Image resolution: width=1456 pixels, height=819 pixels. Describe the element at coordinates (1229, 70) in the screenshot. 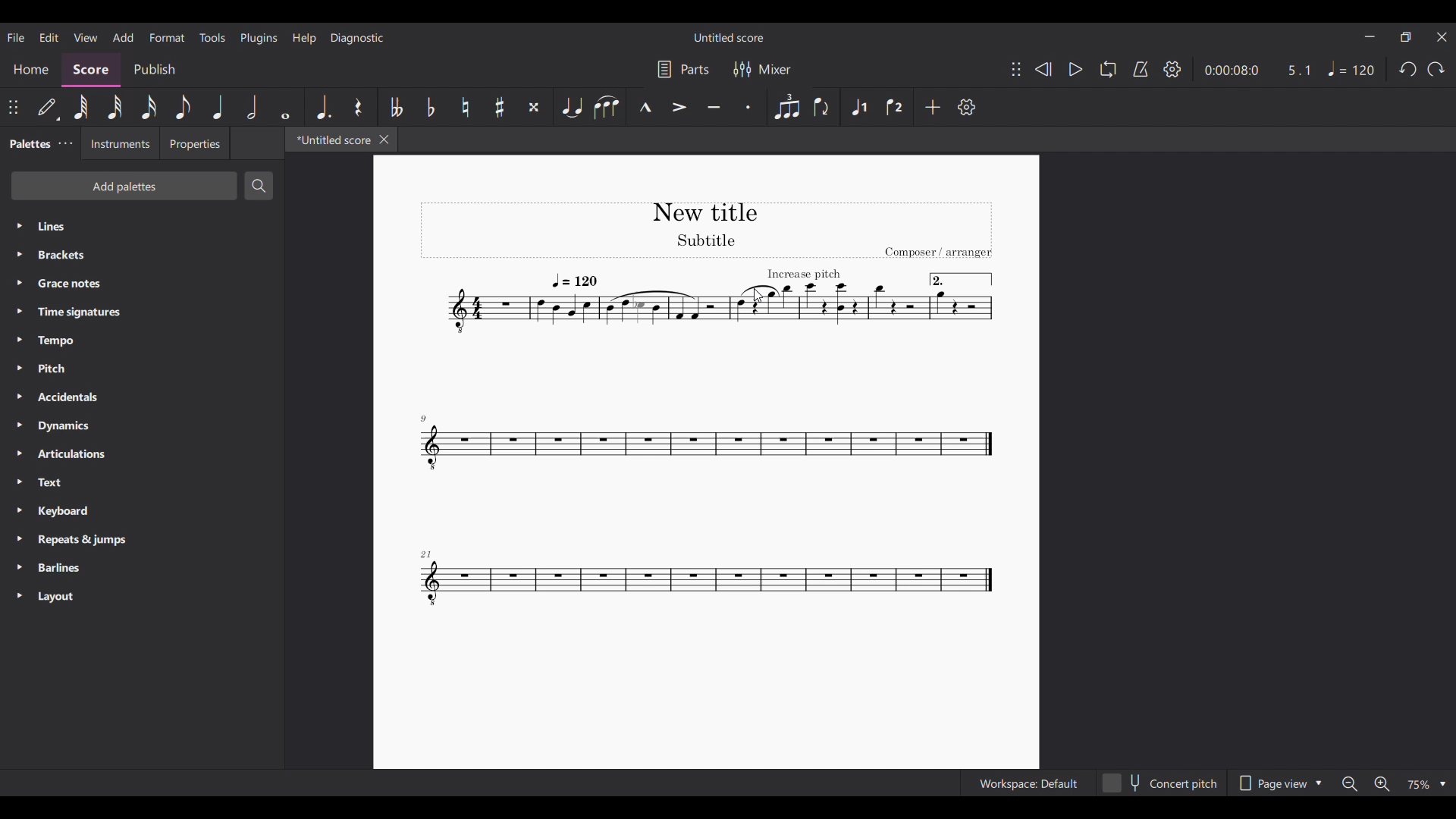

I see `Current duration` at that location.